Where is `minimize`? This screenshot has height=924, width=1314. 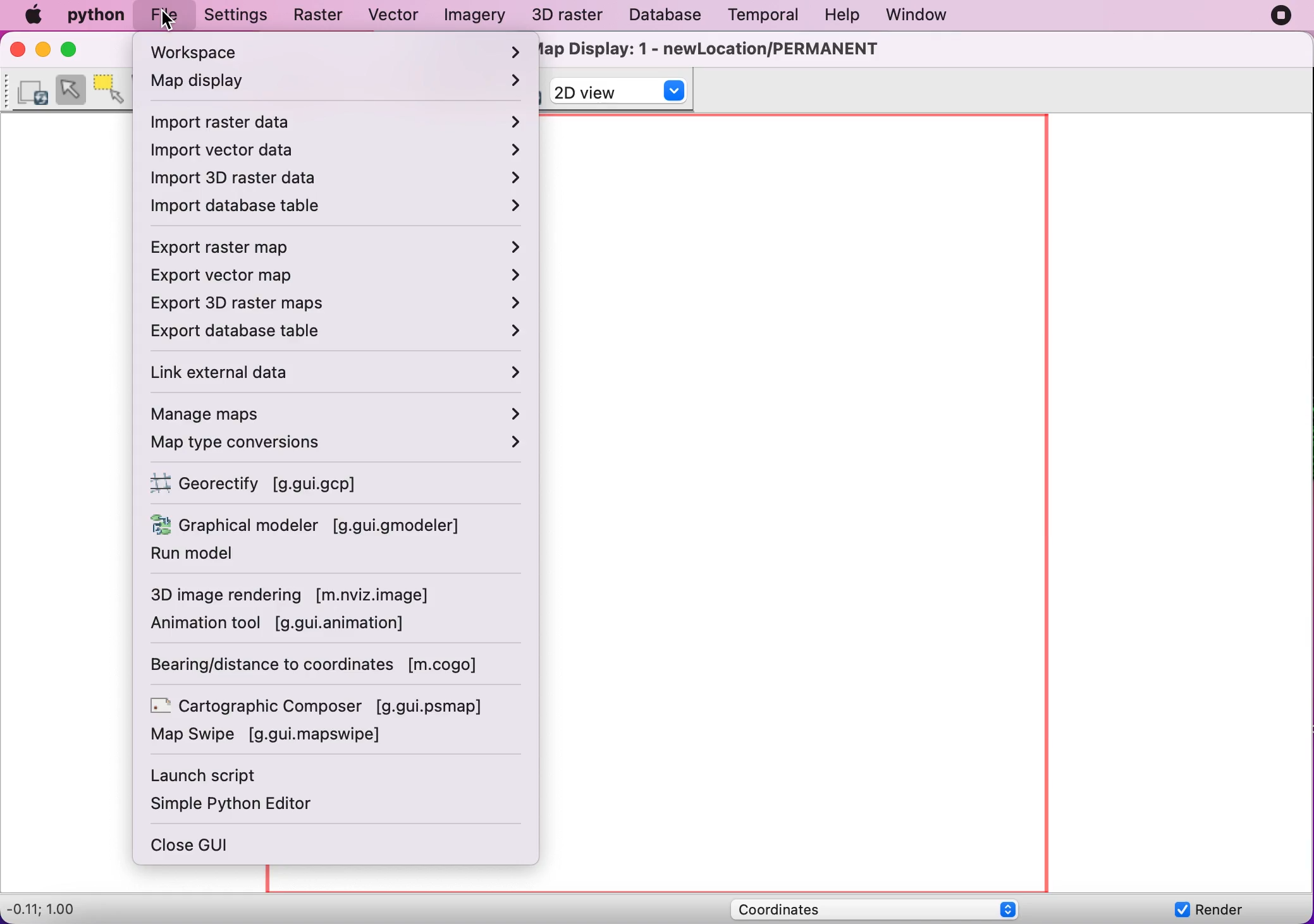
minimize is located at coordinates (40, 51).